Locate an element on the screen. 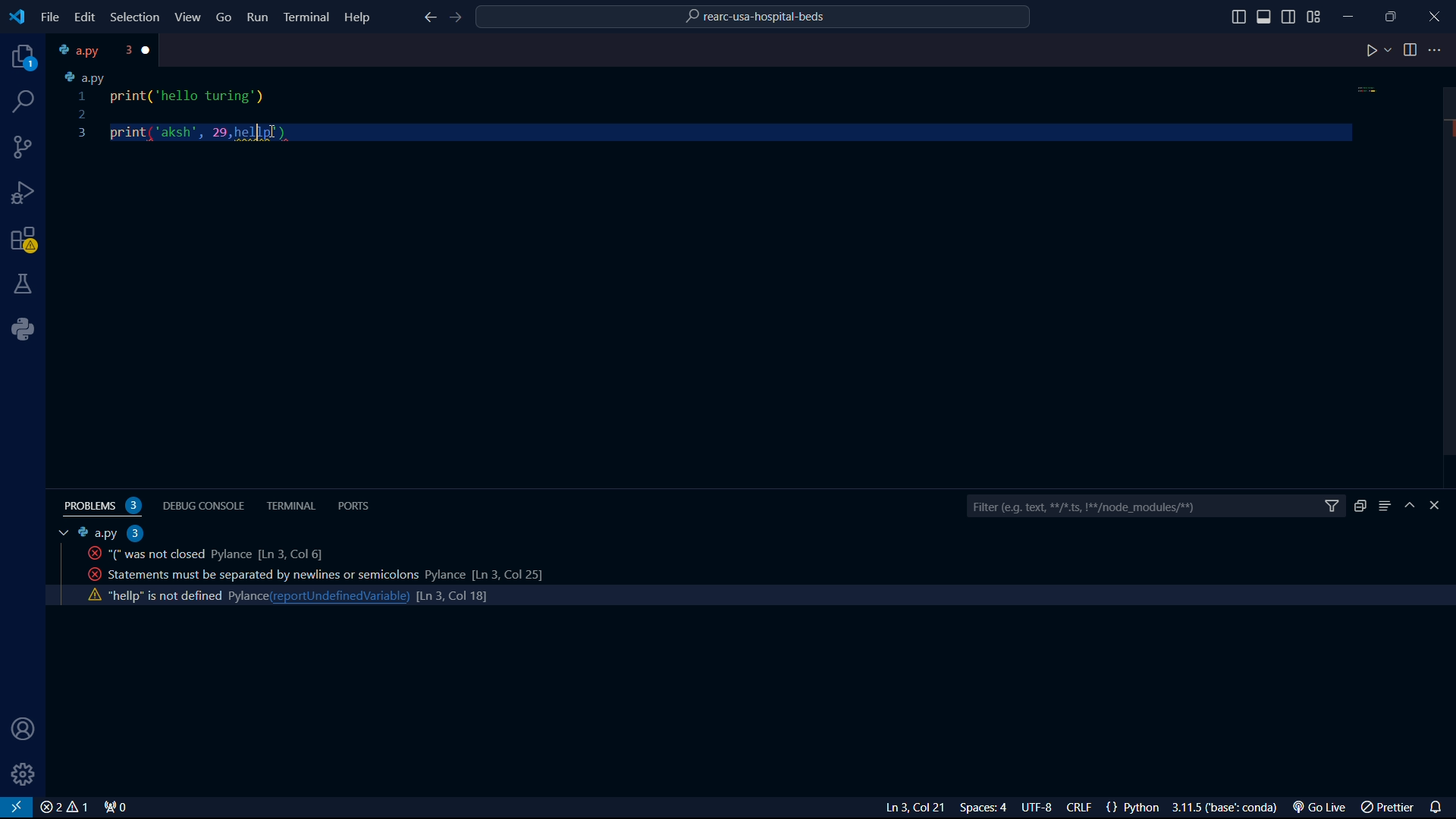 Image resolution: width=1456 pixels, height=819 pixels. user is located at coordinates (19, 730).